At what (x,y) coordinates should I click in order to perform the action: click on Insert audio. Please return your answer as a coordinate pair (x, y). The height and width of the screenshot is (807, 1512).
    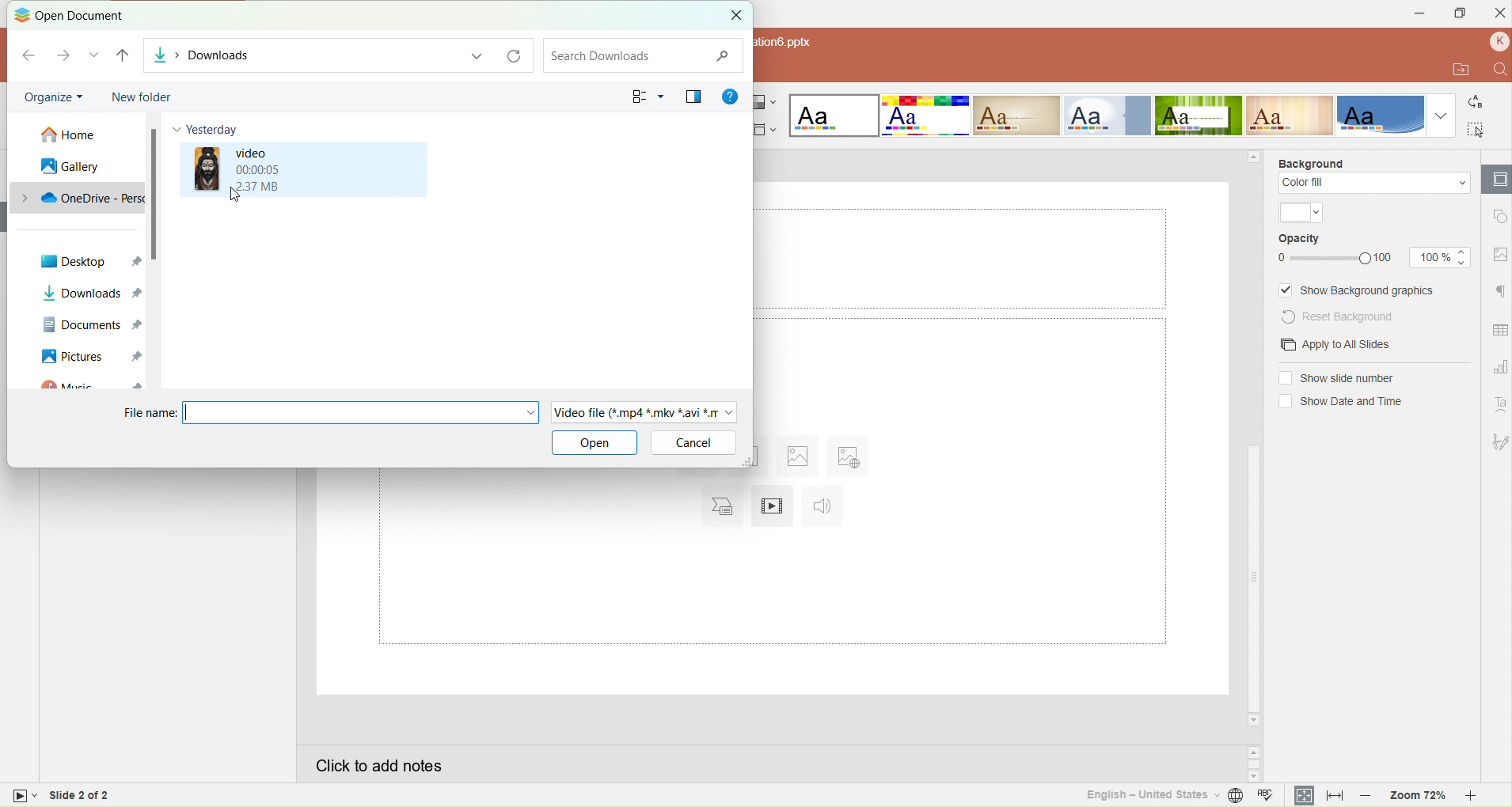
    Looking at the image, I should click on (825, 509).